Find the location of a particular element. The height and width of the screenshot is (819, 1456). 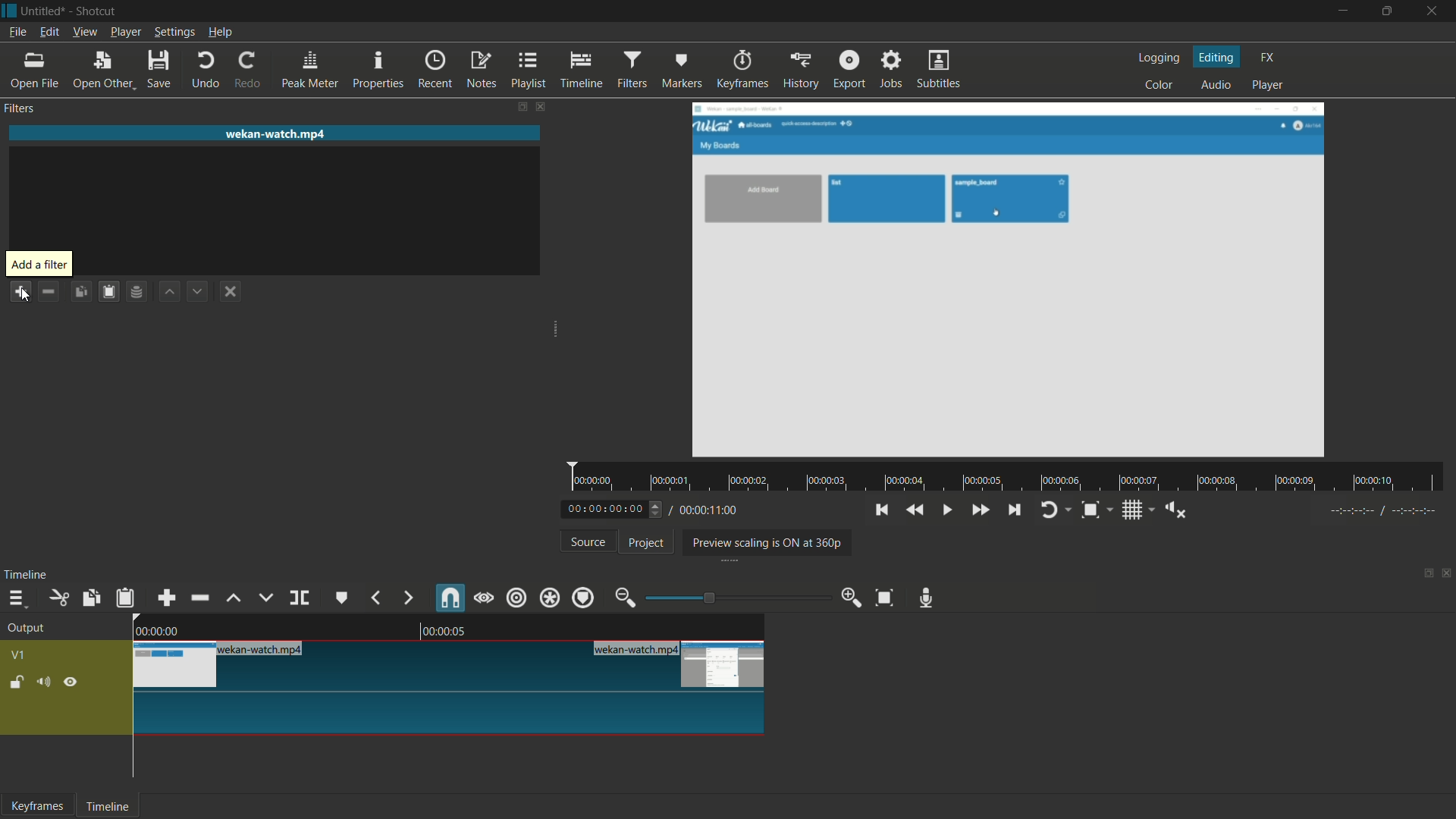

deselect a filter is located at coordinates (231, 290).